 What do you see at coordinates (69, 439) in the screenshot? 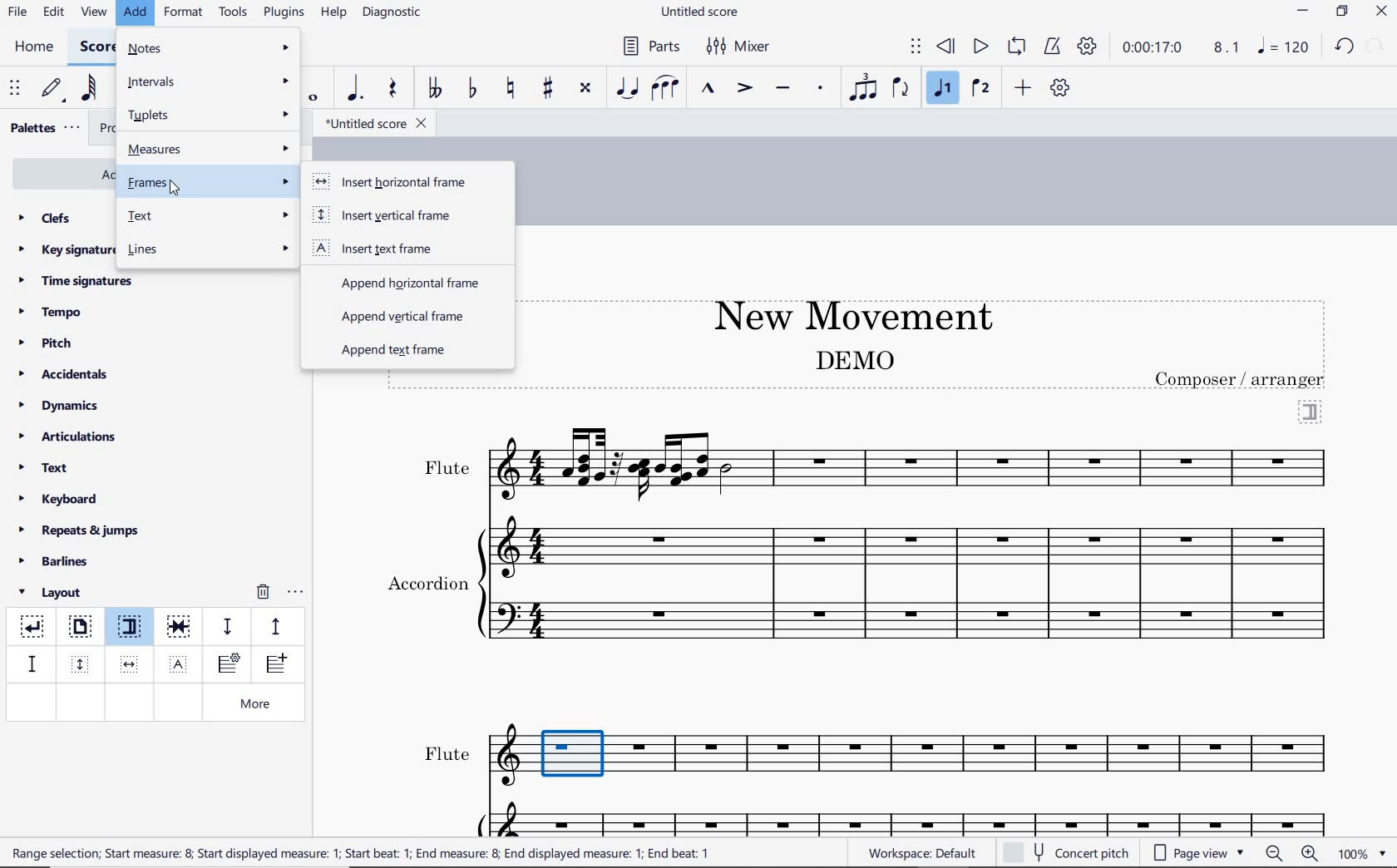
I see `articulations` at bounding box center [69, 439].